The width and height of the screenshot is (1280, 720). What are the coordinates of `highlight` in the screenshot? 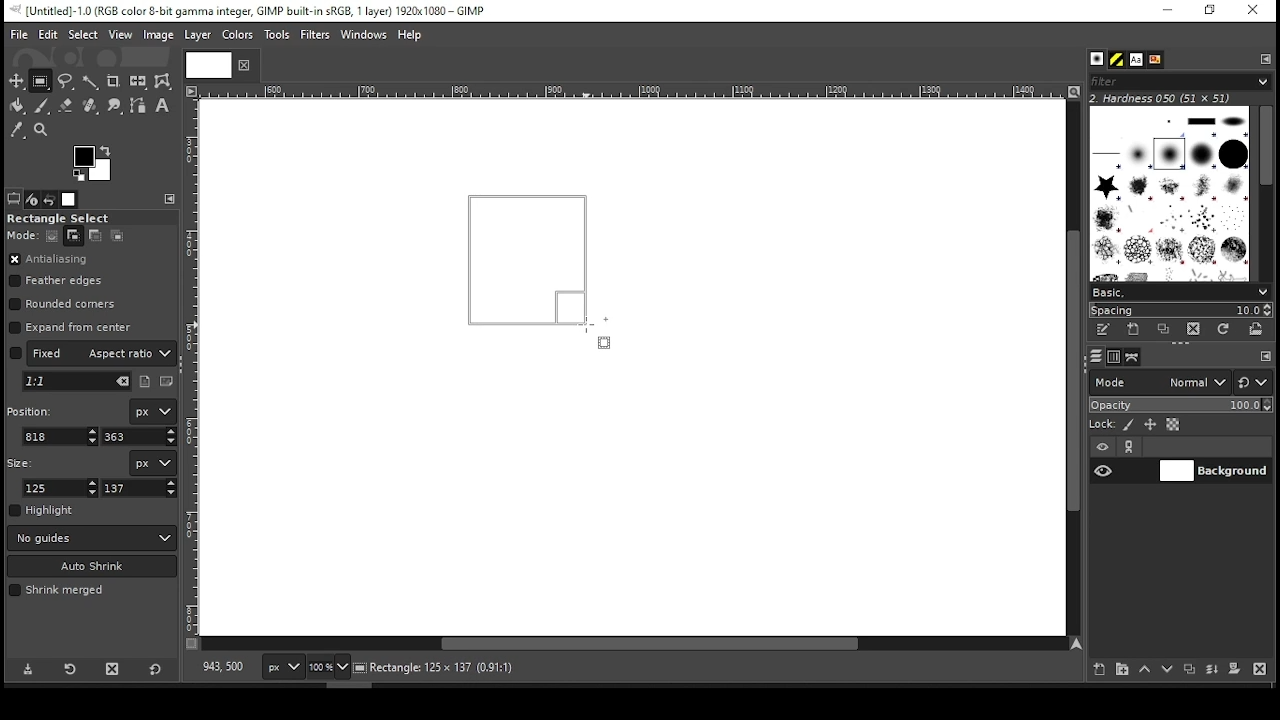 It's located at (42, 510).